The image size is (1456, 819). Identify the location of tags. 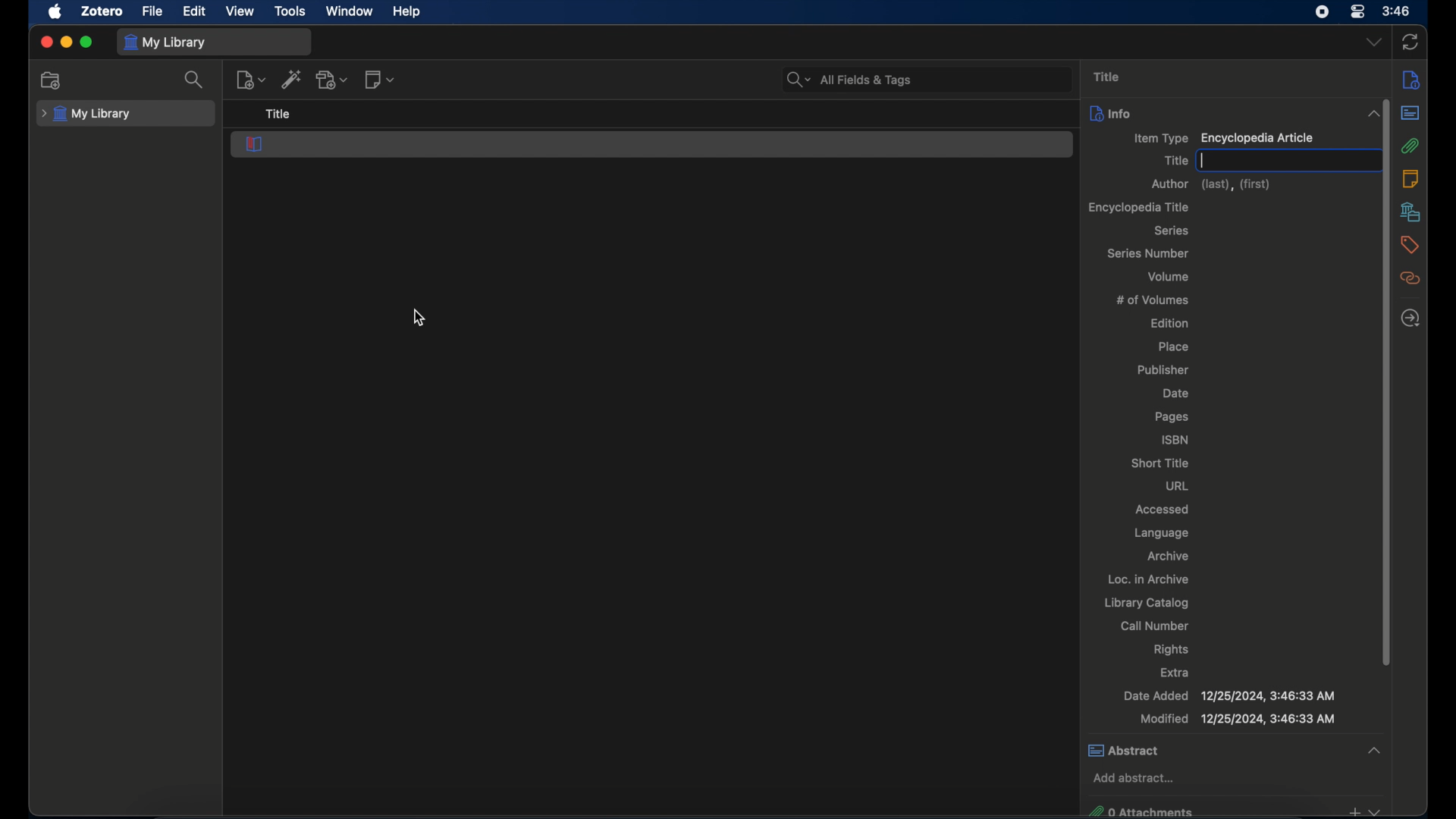
(1410, 245).